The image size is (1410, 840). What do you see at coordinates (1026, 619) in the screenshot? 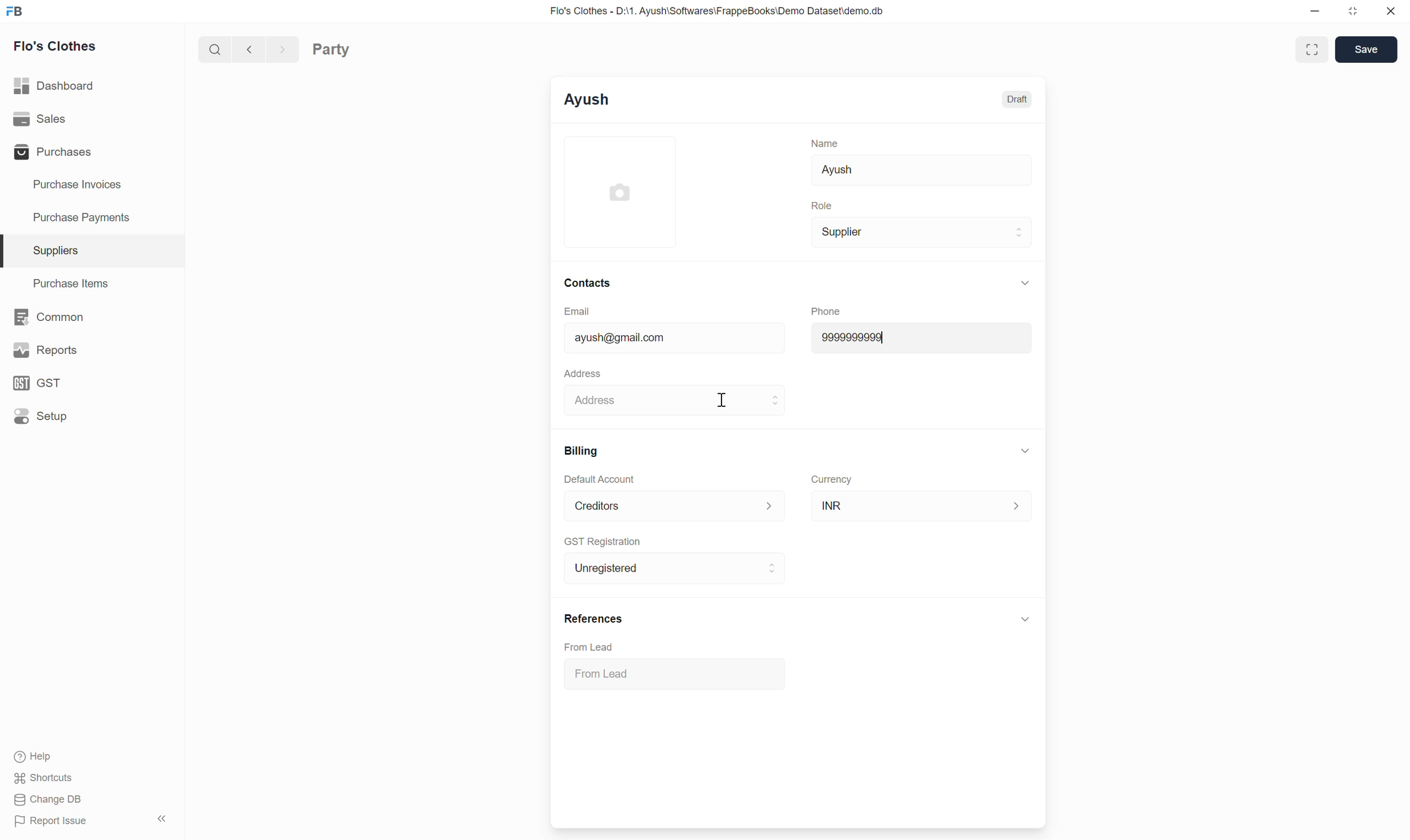
I see `Click to collapse` at bounding box center [1026, 619].